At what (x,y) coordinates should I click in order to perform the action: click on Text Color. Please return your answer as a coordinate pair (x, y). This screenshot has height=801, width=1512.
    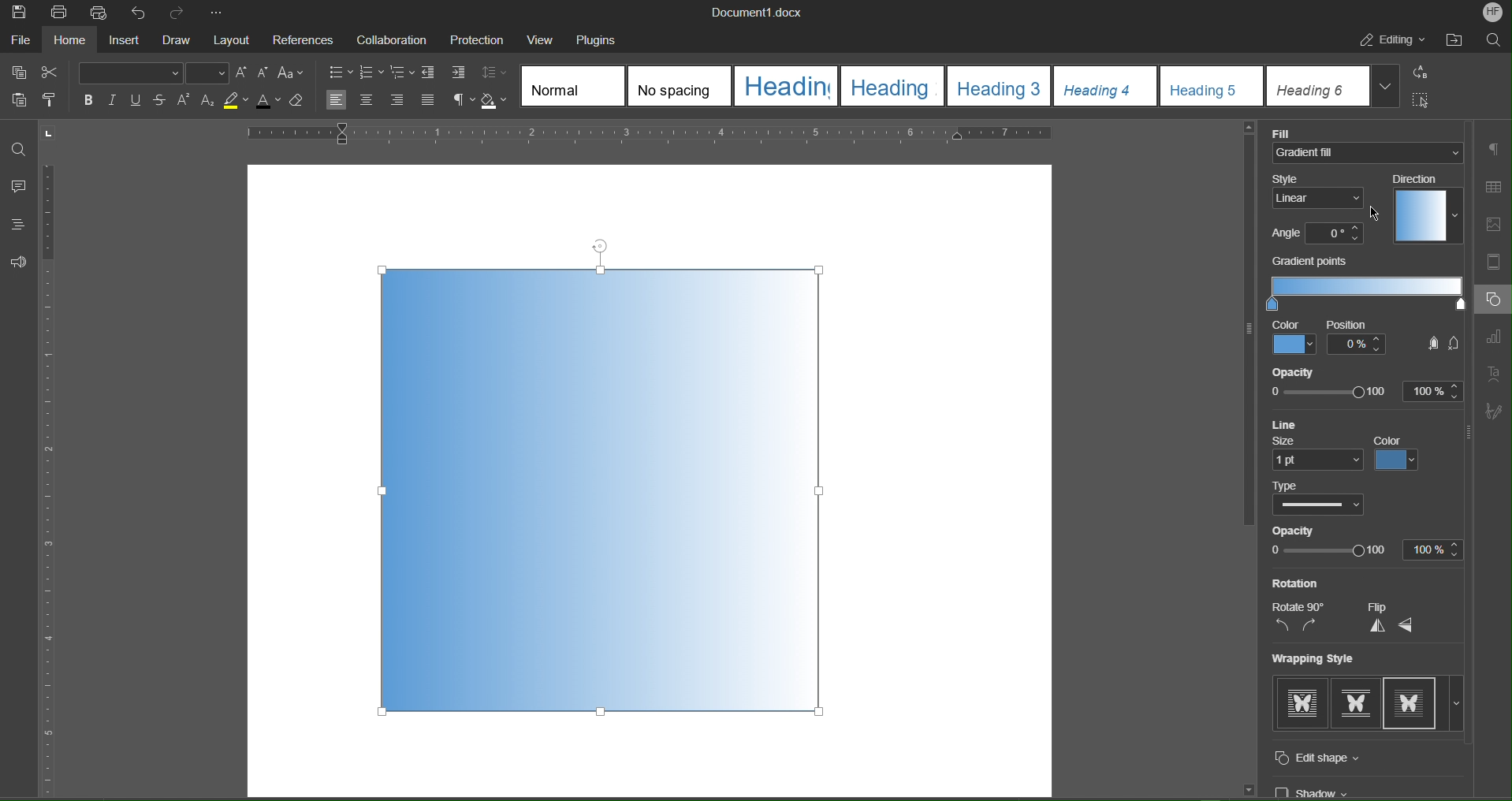
    Looking at the image, I should click on (268, 102).